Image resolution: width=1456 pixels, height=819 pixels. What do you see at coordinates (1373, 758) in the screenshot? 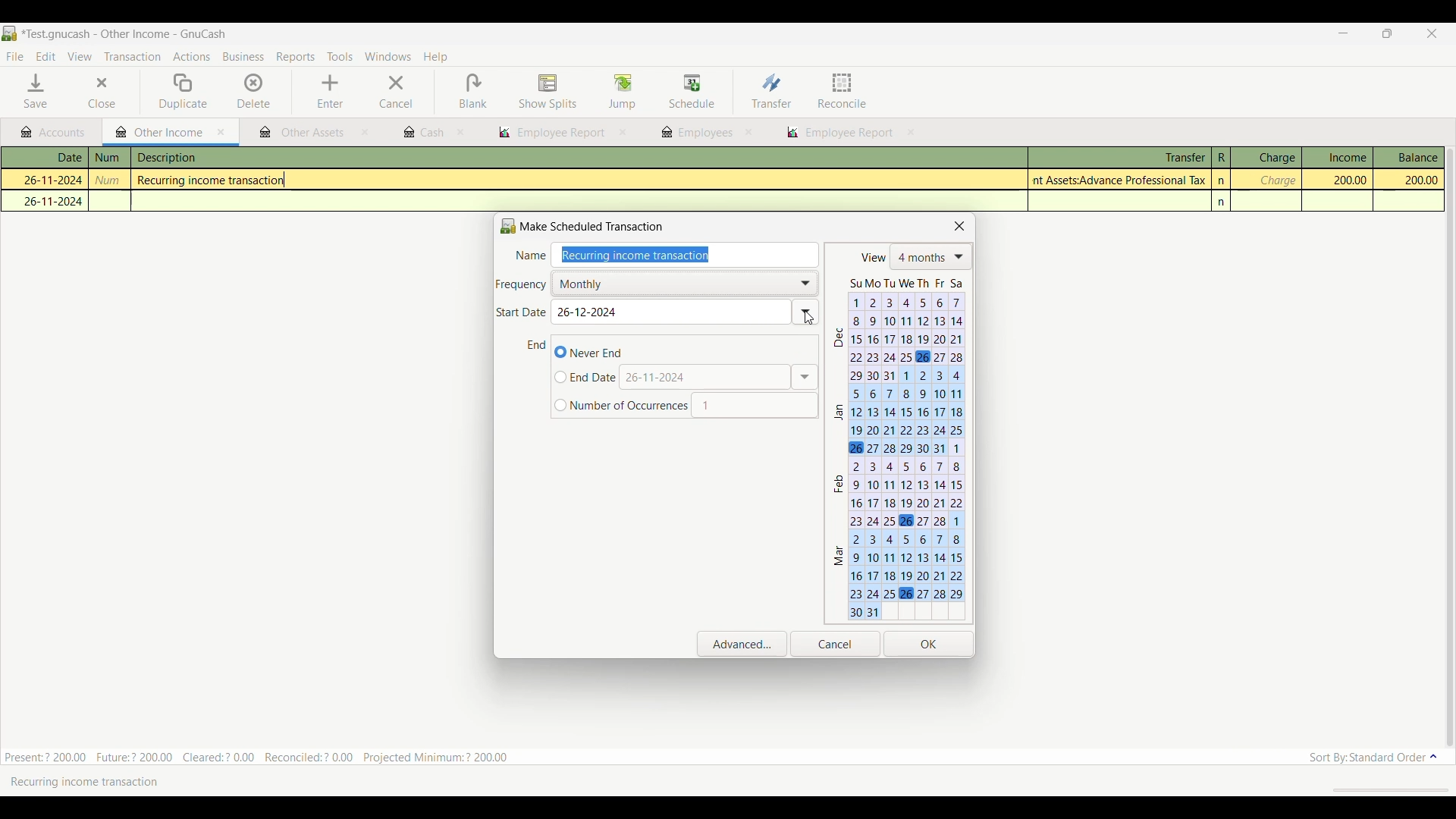
I see `Sort order options` at bounding box center [1373, 758].